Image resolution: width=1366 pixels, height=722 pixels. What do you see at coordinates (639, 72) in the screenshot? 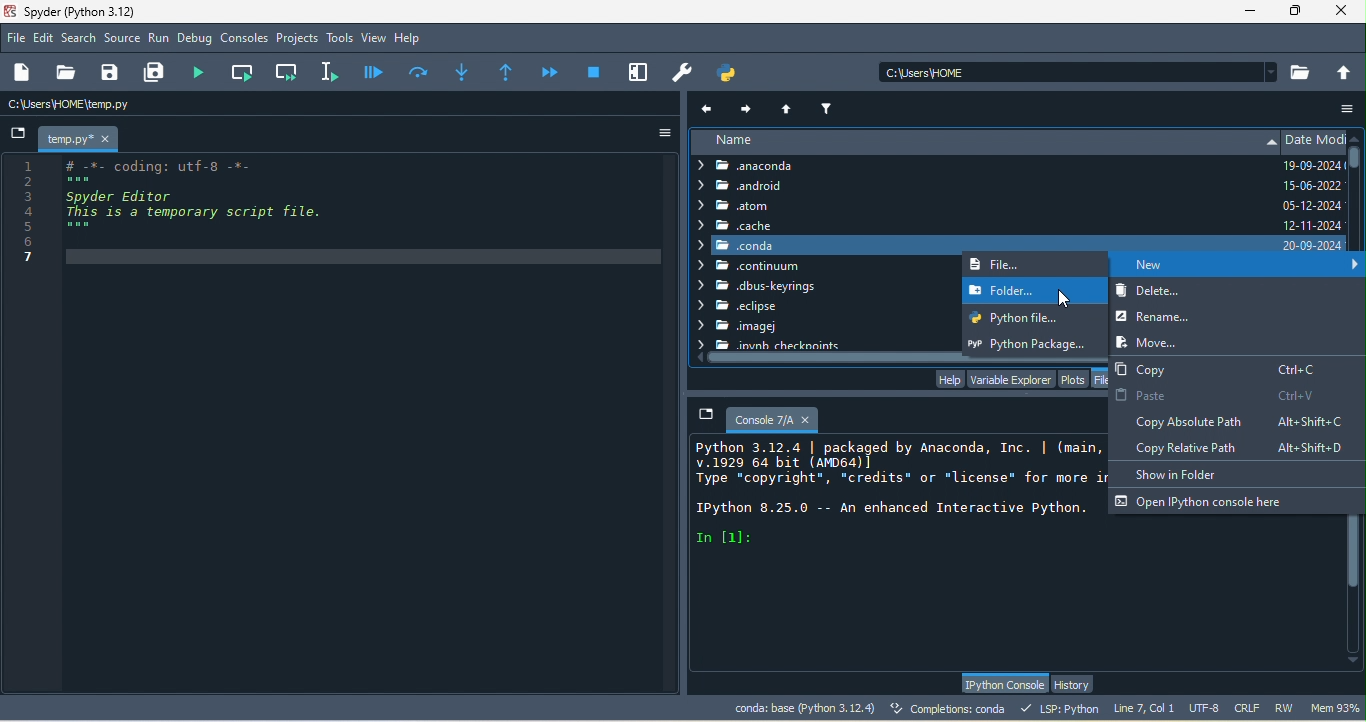
I see `maximize current pane` at bounding box center [639, 72].